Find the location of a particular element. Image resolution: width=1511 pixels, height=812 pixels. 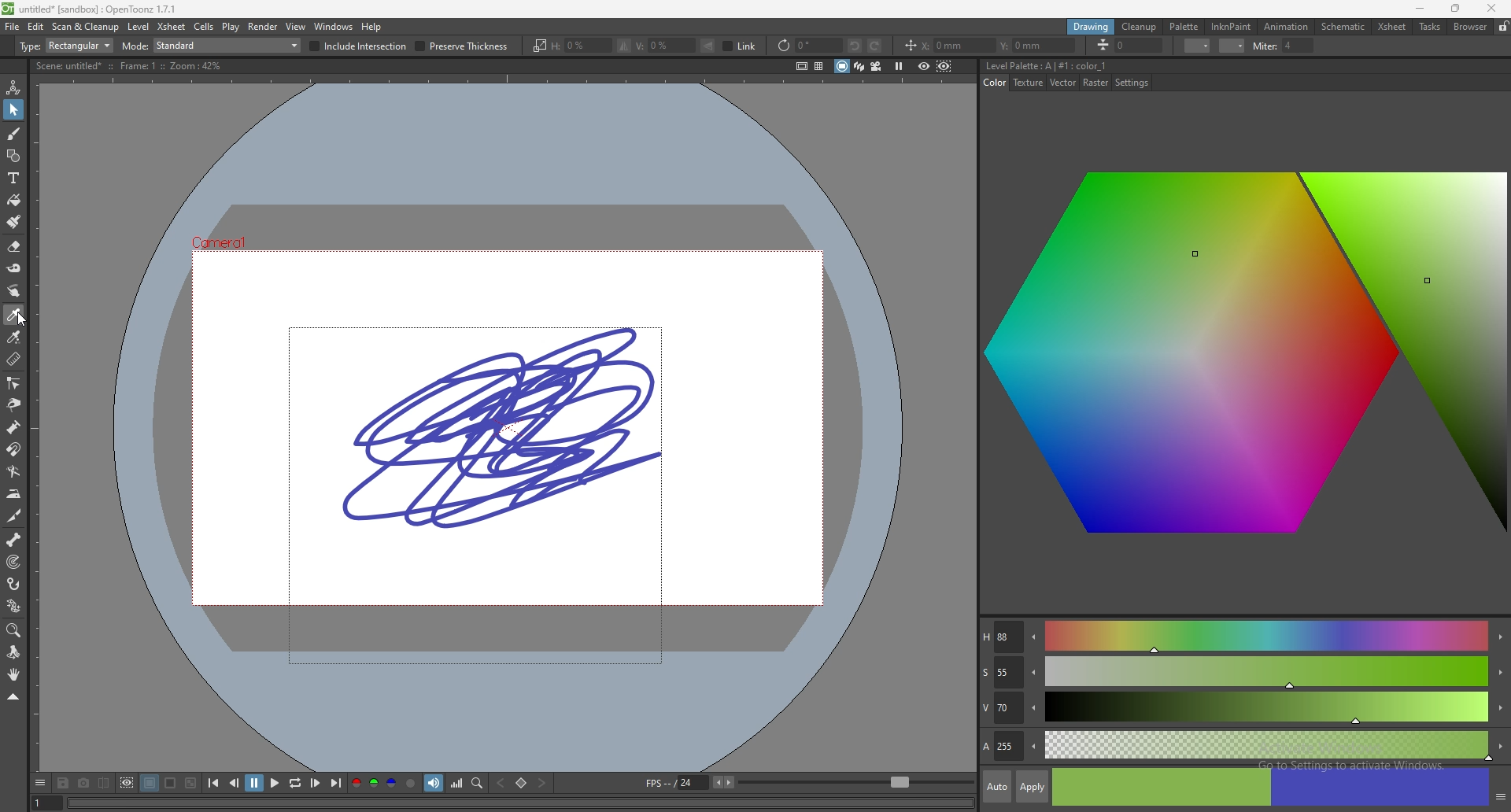

drawing is located at coordinates (1092, 28).